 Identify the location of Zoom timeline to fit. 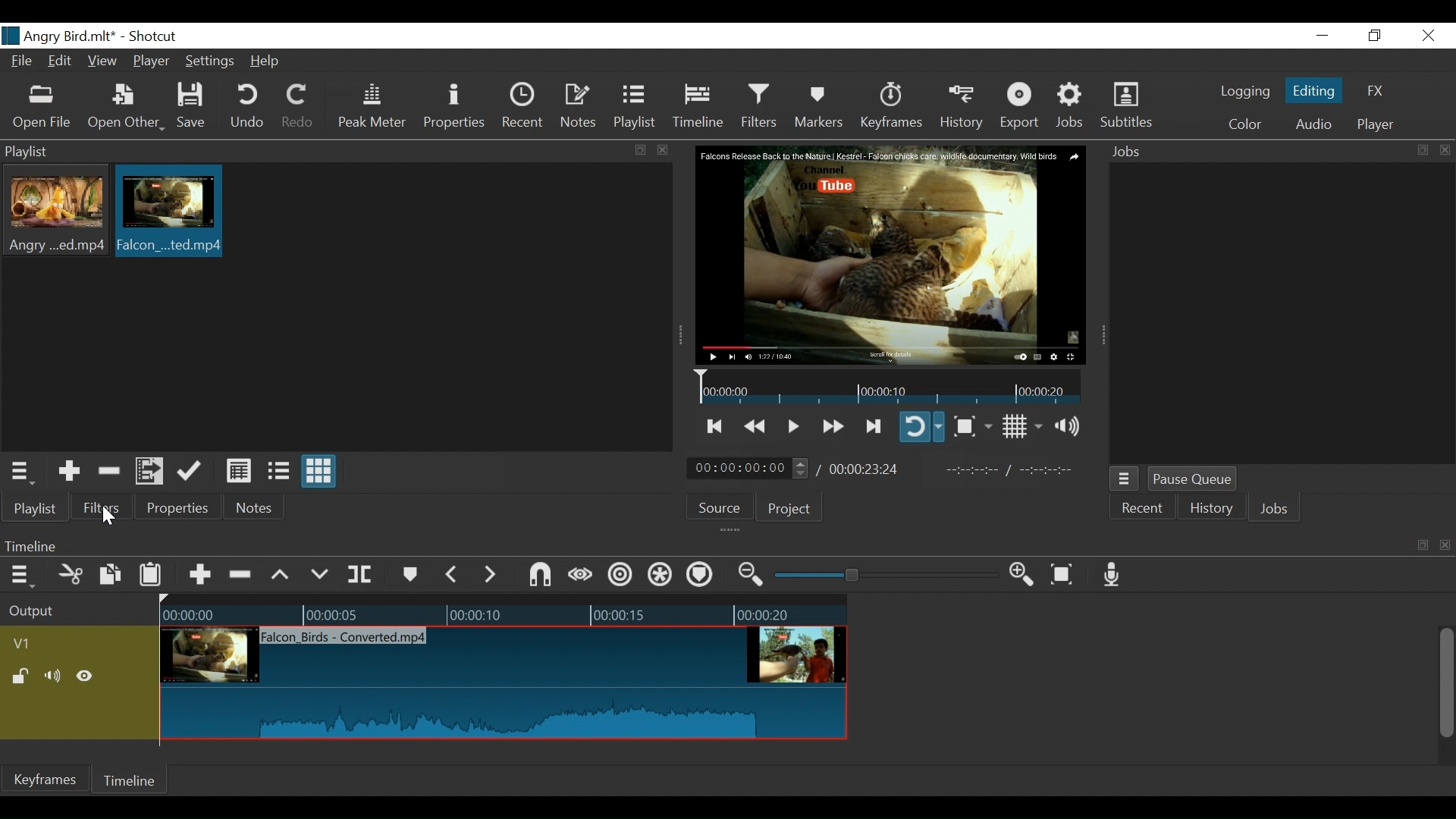
(1068, 573).